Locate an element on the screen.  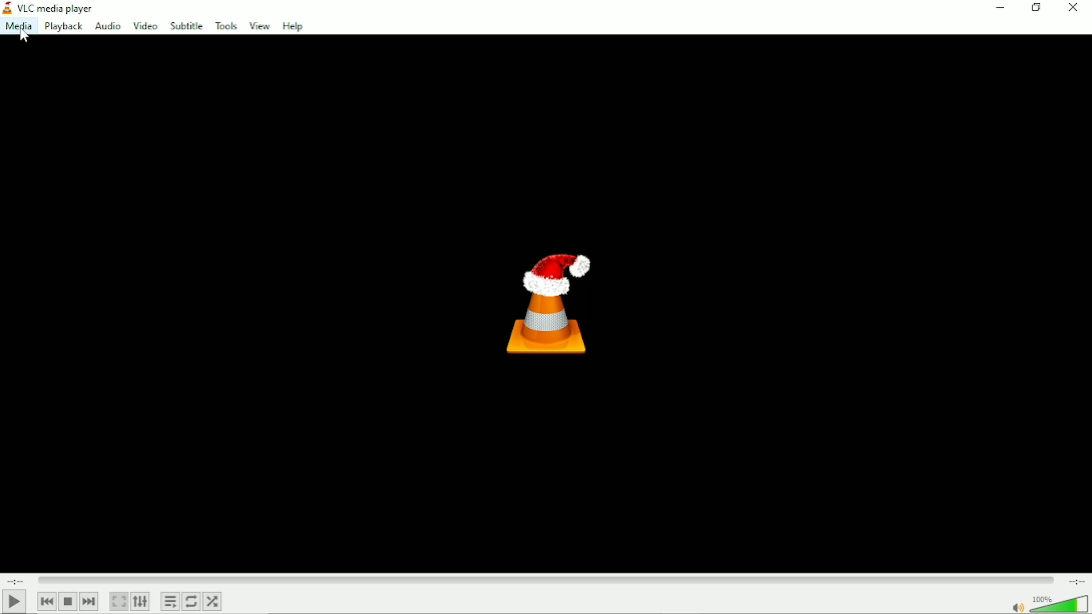
Tools is located at coordinates (227, 26).